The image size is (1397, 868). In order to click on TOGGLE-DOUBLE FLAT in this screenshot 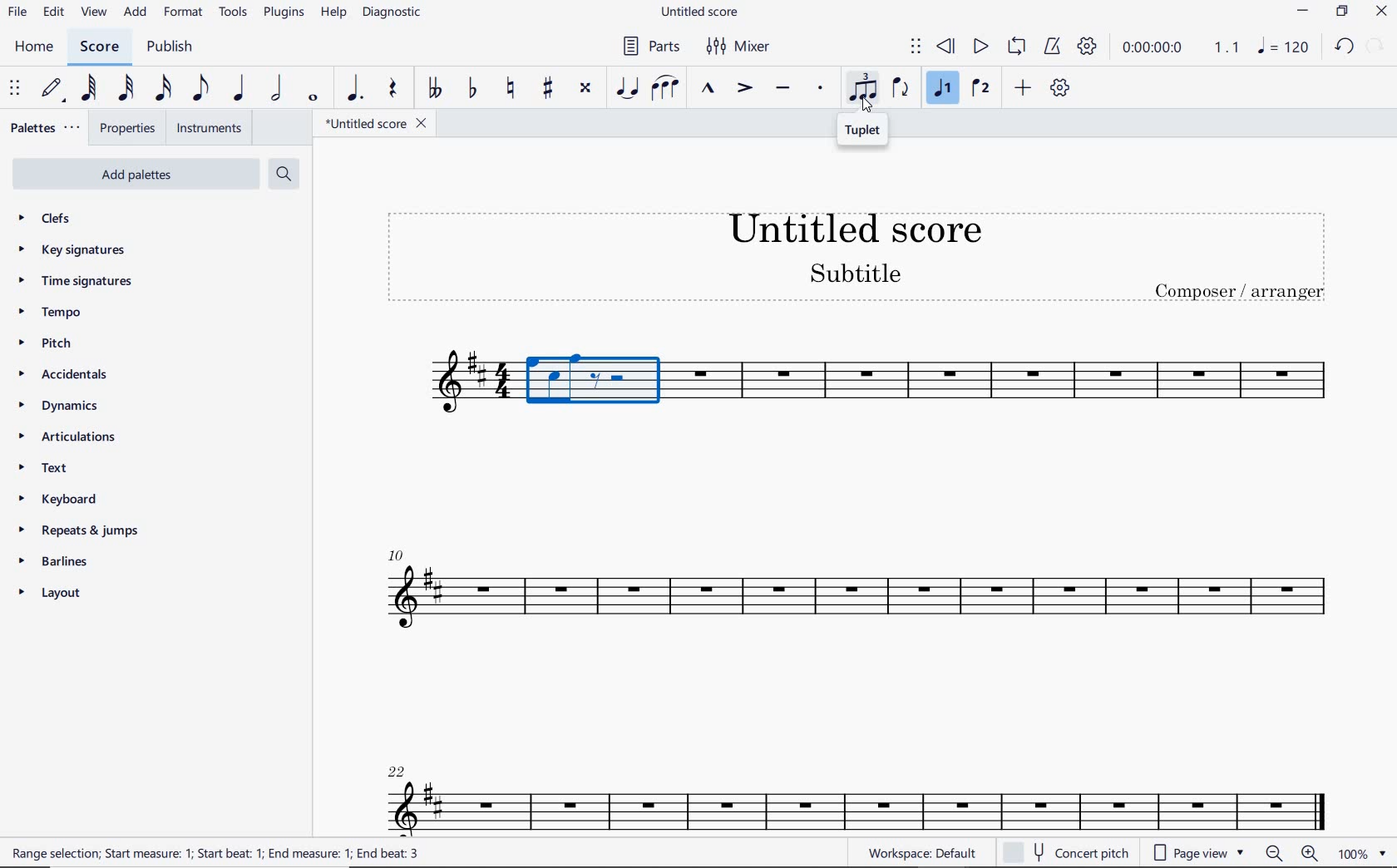, I will do `click(435, 86)`.